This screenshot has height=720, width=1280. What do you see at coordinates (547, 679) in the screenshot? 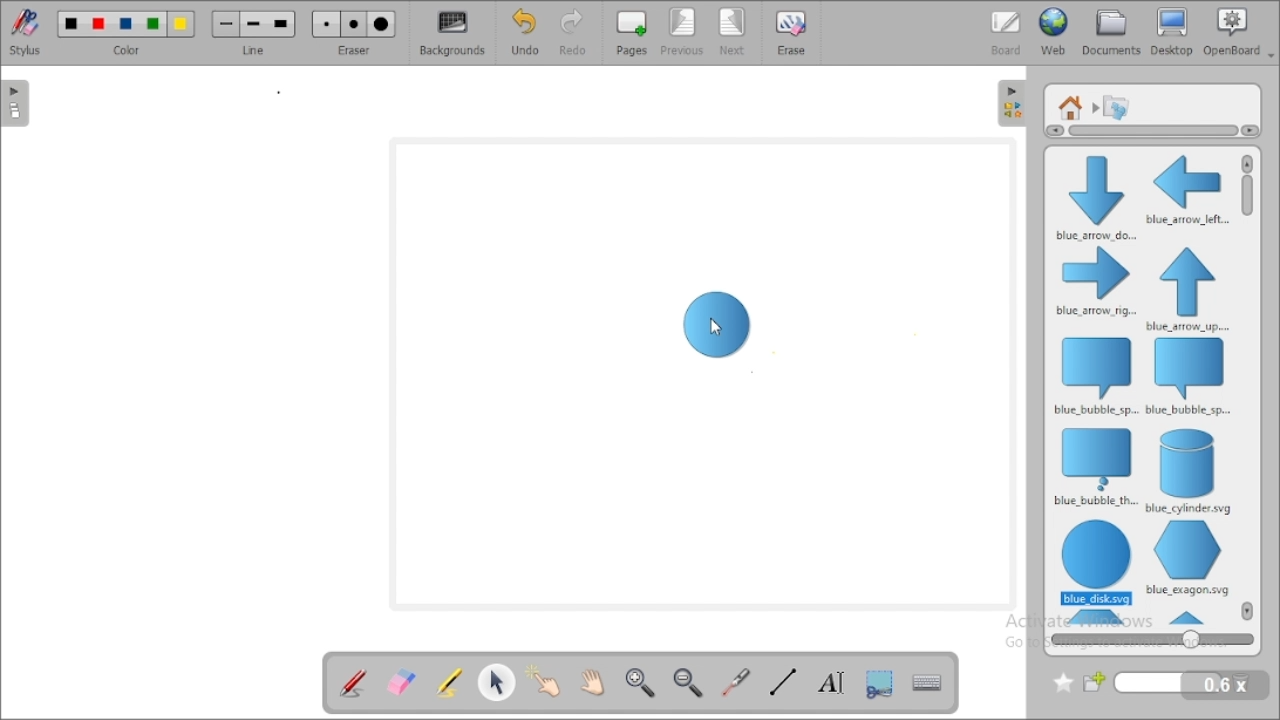
I see `interact with items` at bounding box center [547, 679].